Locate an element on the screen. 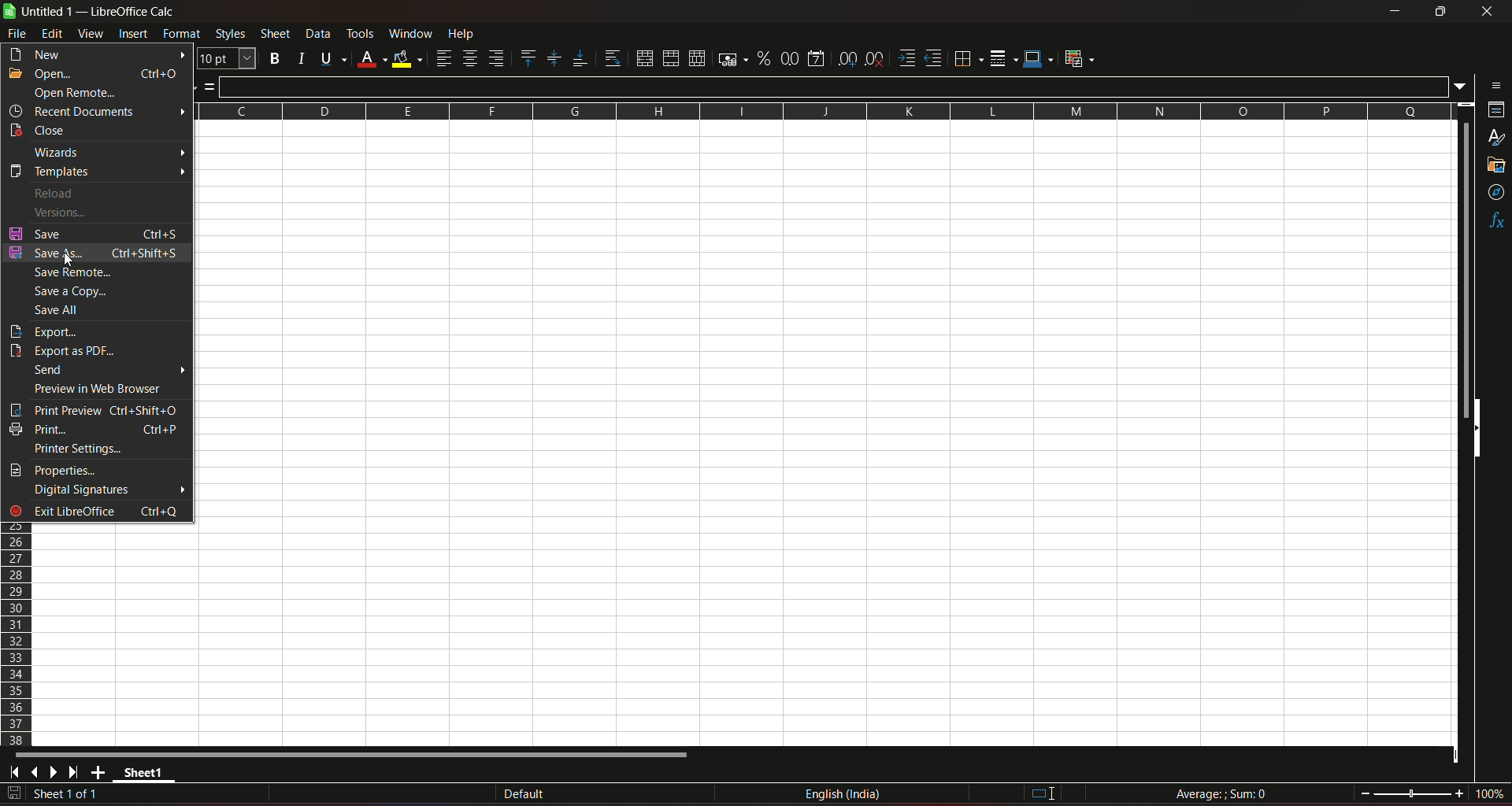 Image resolution: width=1512 pixels, height=806 pixels. increase indent is located at coordinates (906, 57).